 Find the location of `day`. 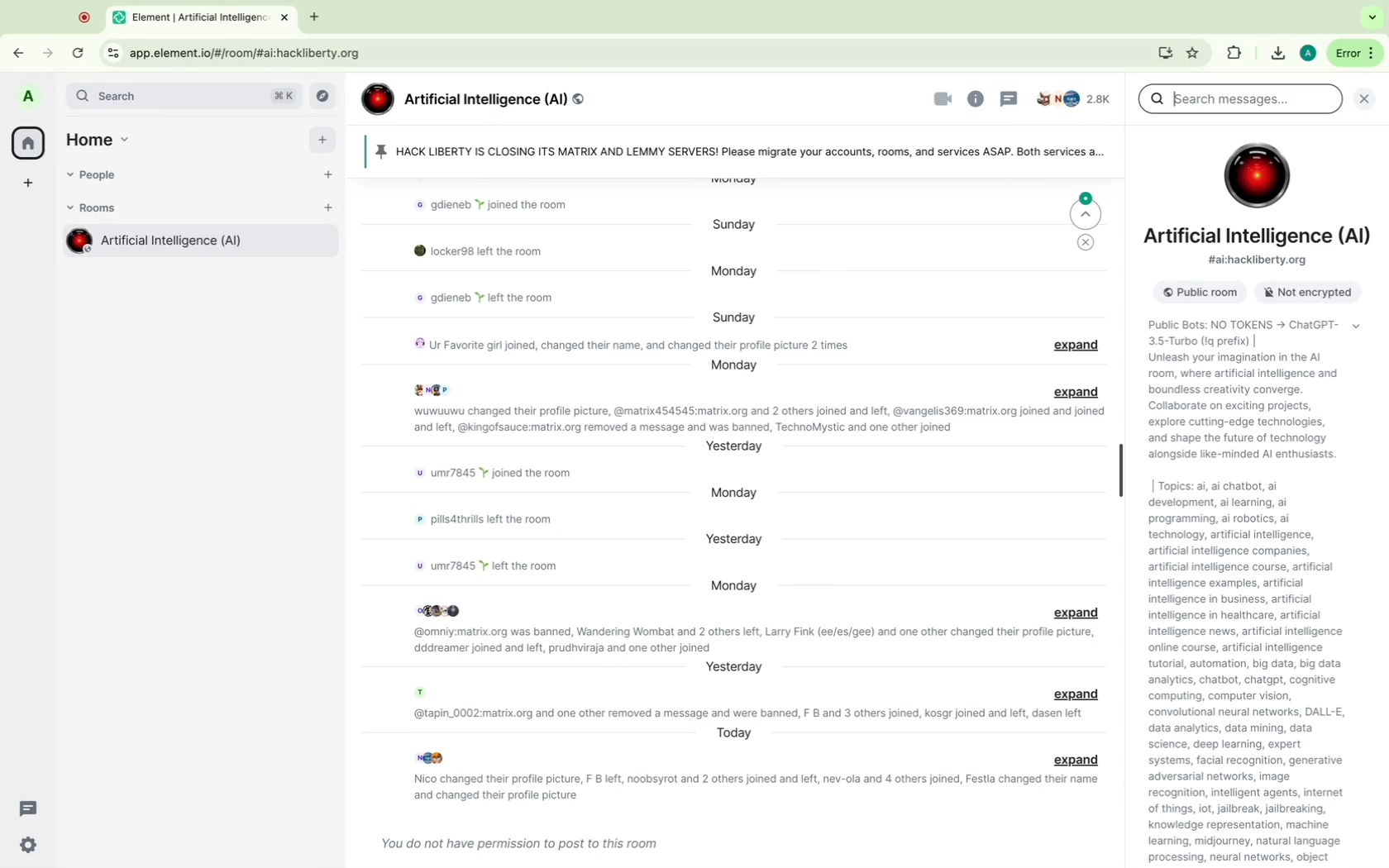

day is located at coordinates (735, 273).